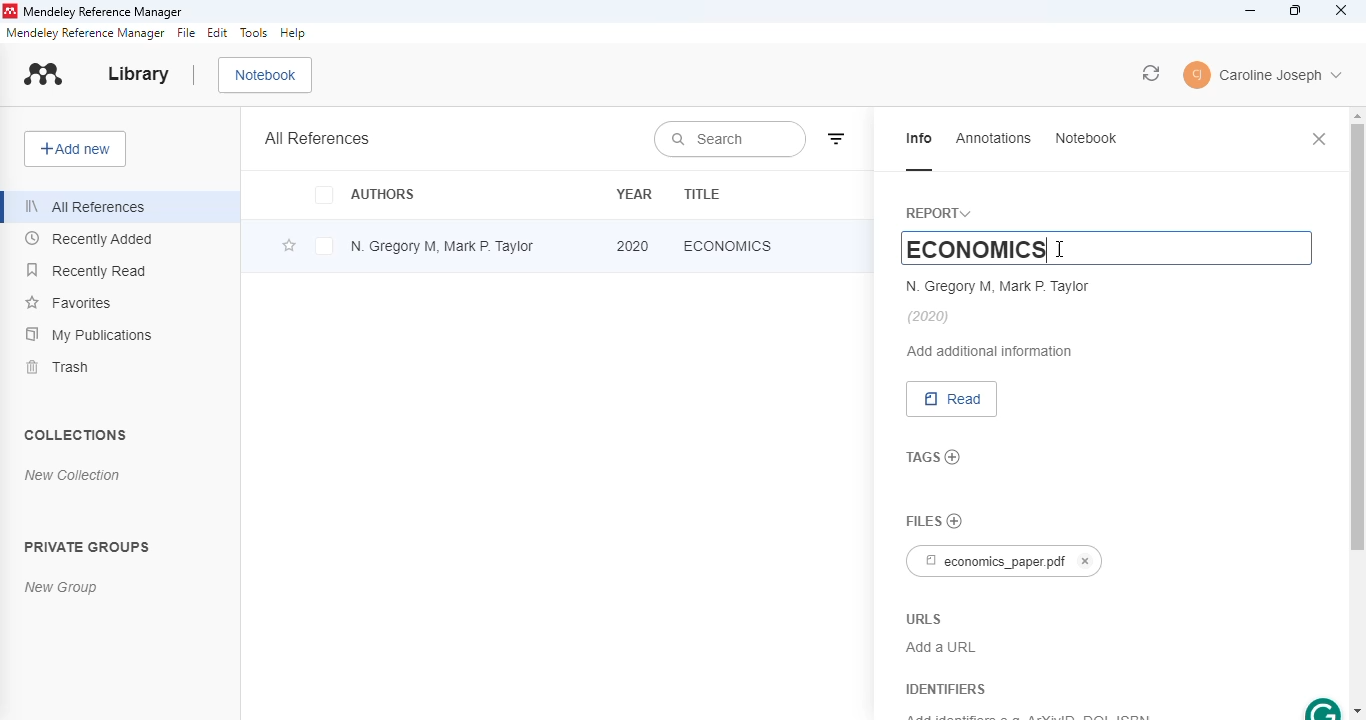 The width and height of the screenshot is (1366, 720). I want to click on mendeley reference manager, so click(84, 33).